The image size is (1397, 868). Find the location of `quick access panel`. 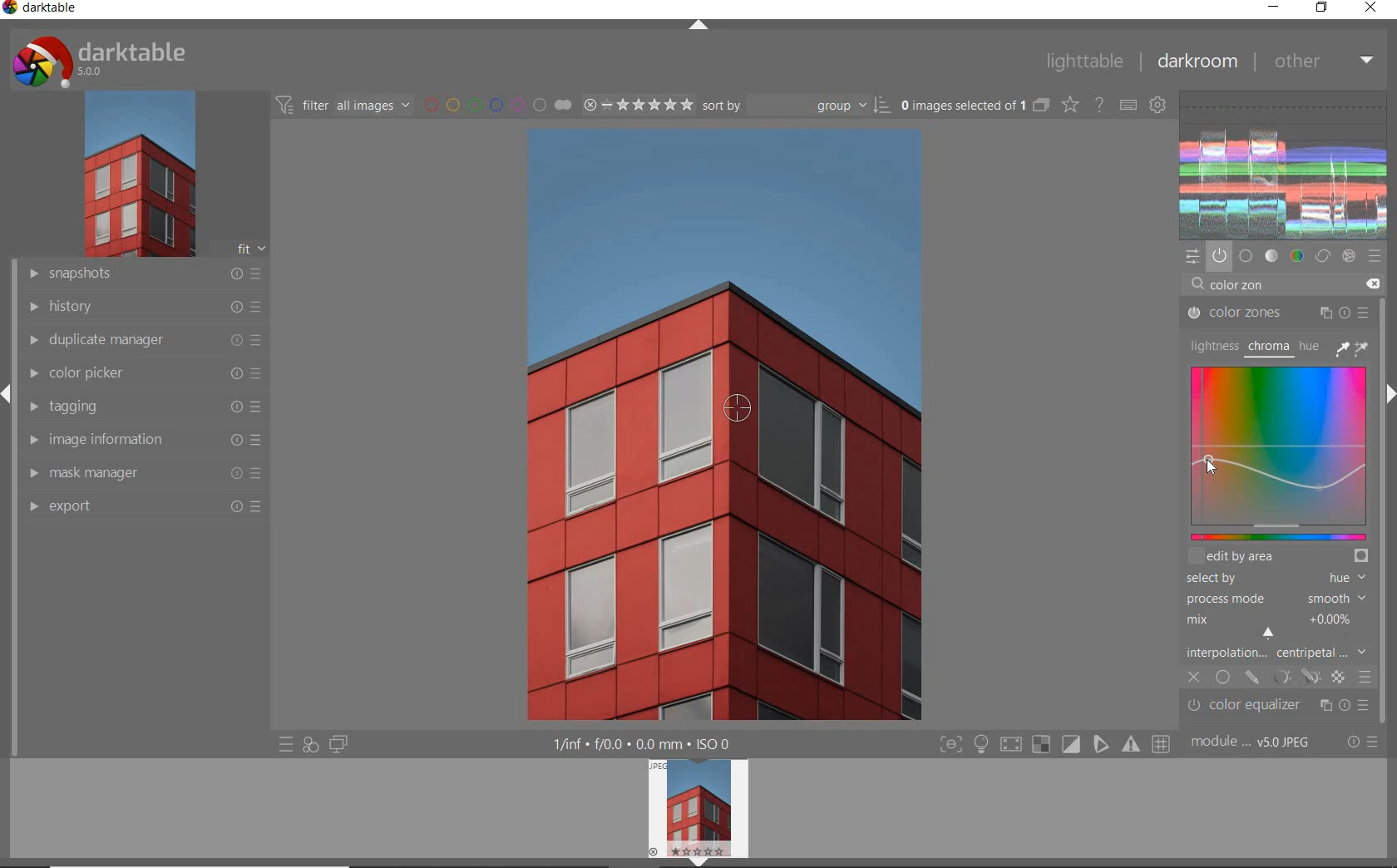

quick access panel is located at coordinates (1193, 257).